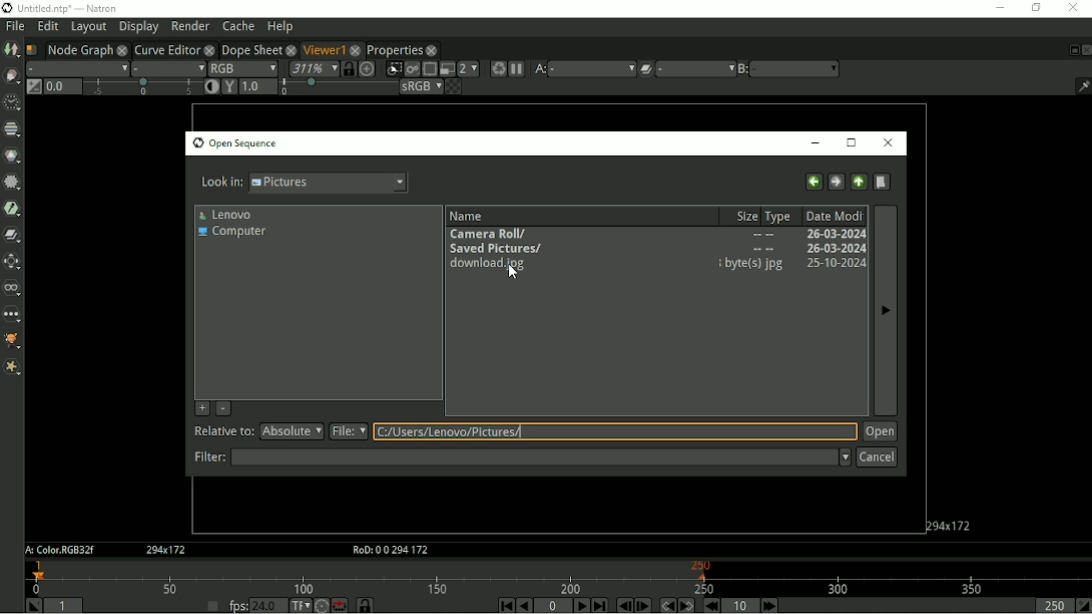 Image resolution: width=1092 pixels, height=614 pixels. I want to click on Set playback frame rate, so click(211, 604).